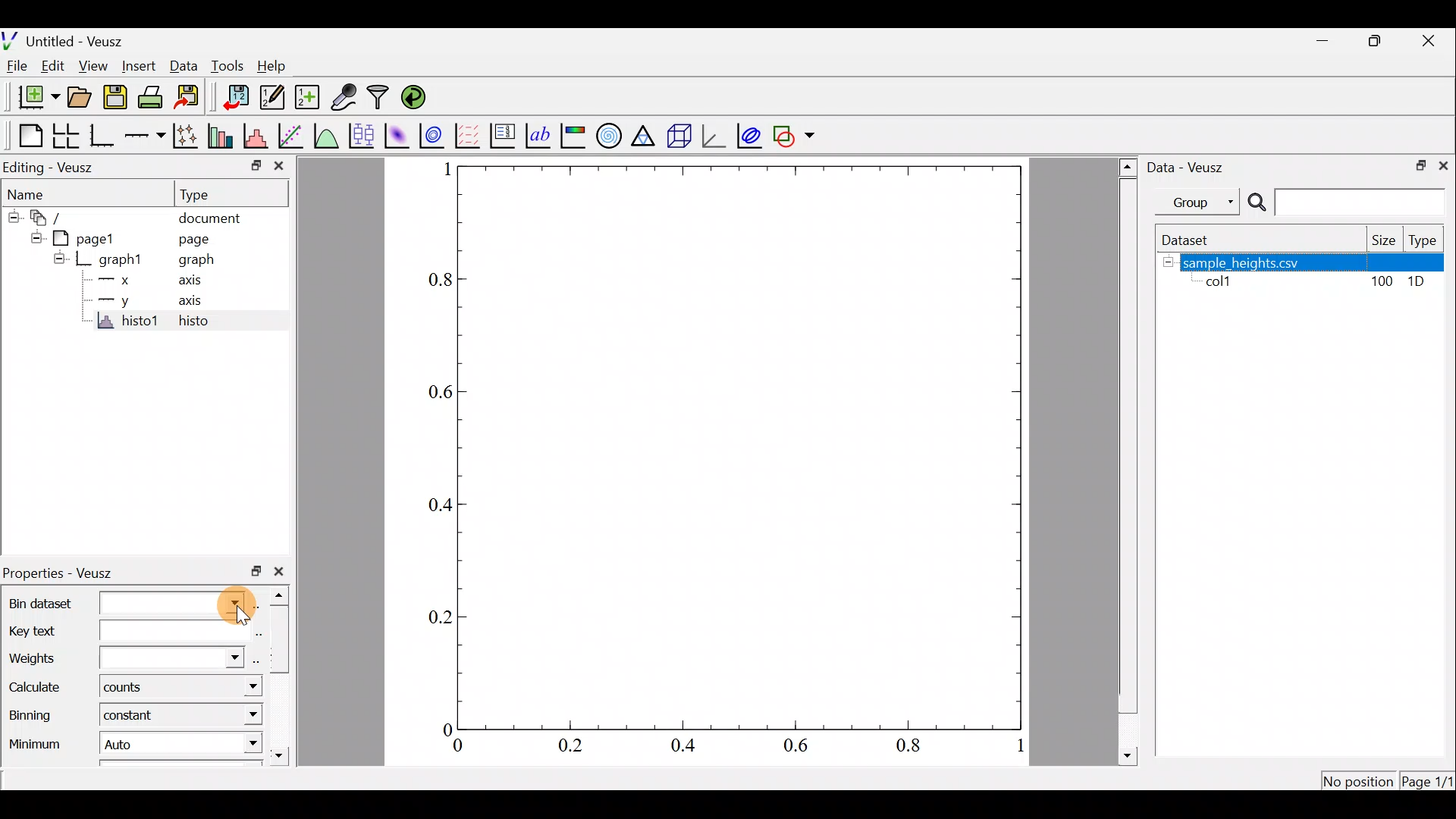  Describe the element at coordinates (124, 302) in the screenshot. I see `y` at that location.